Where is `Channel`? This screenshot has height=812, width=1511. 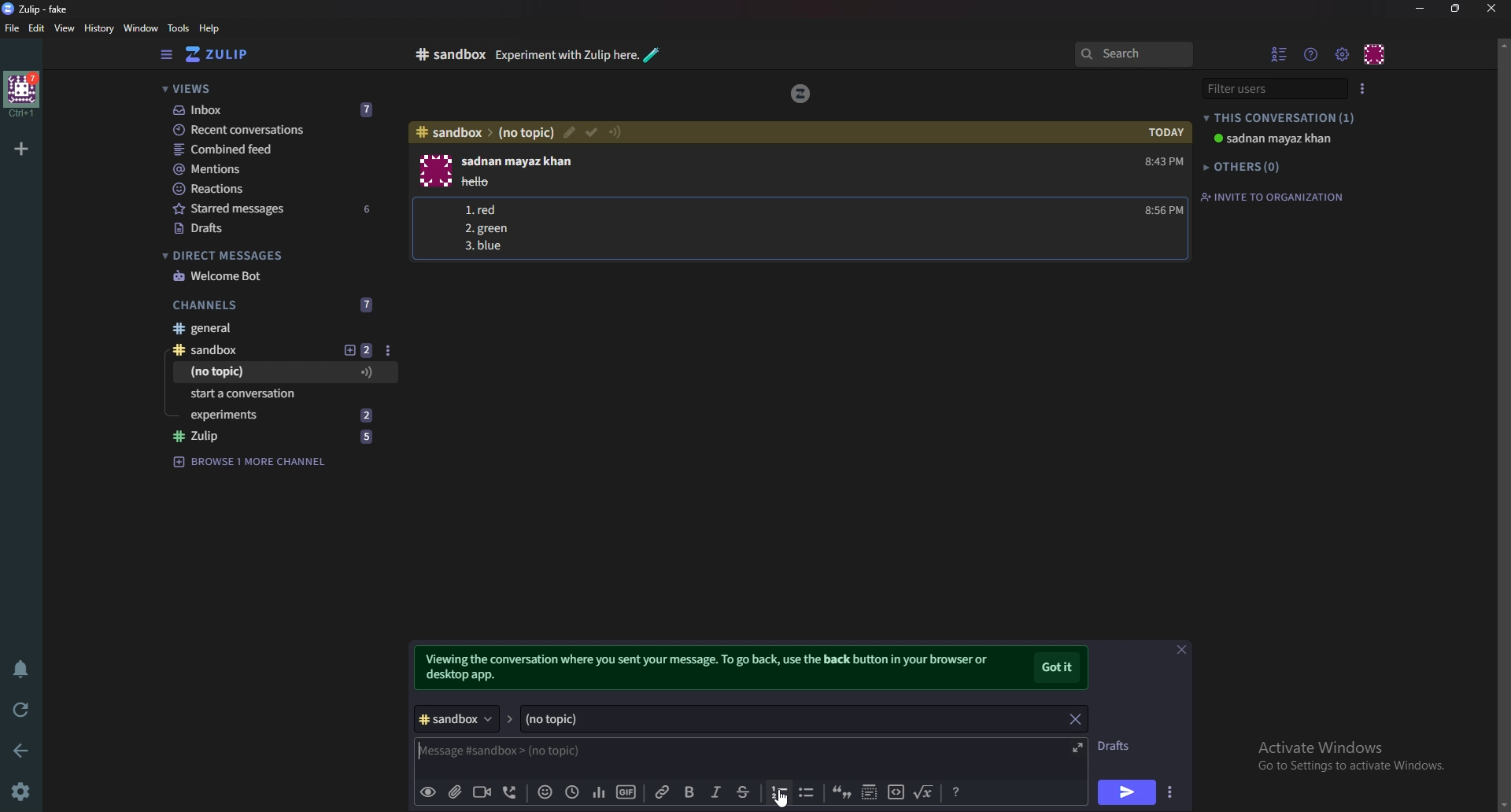
Channel is located at coordinates (460, 716).